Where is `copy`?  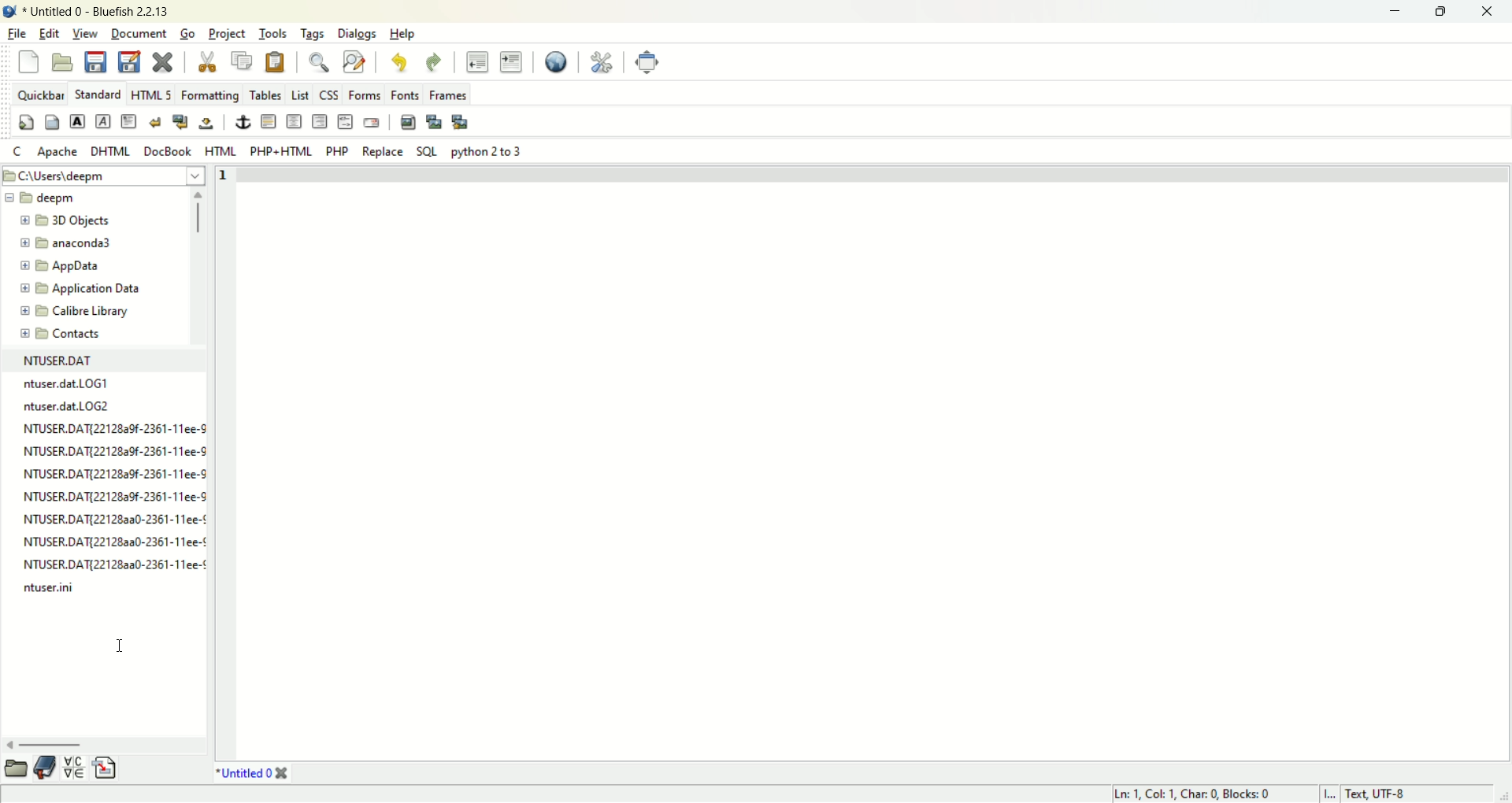 copy is located at coordinates (242, 62).